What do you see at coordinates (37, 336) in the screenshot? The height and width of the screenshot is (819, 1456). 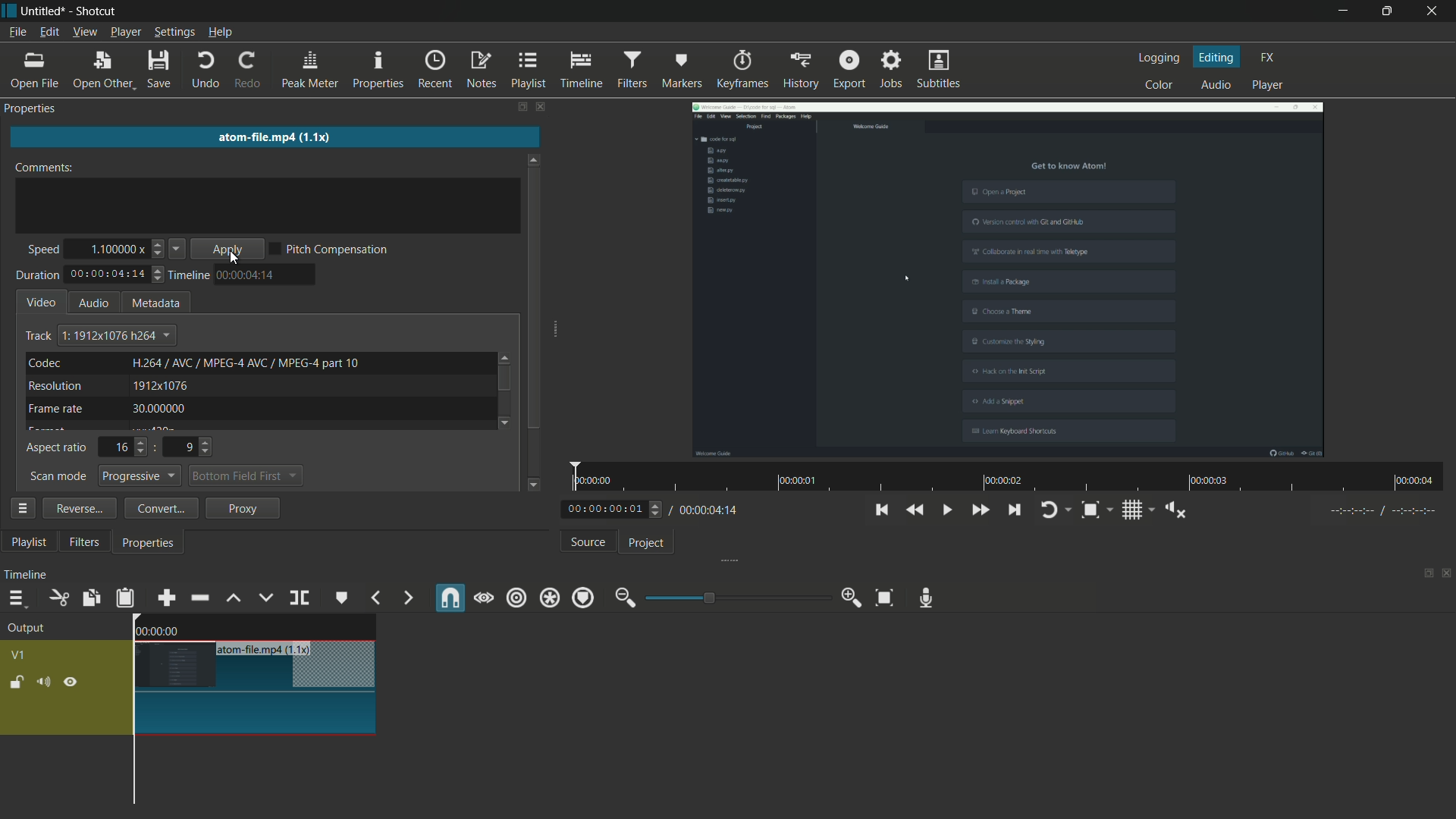 I see `track` at bounding box center [37, 336].